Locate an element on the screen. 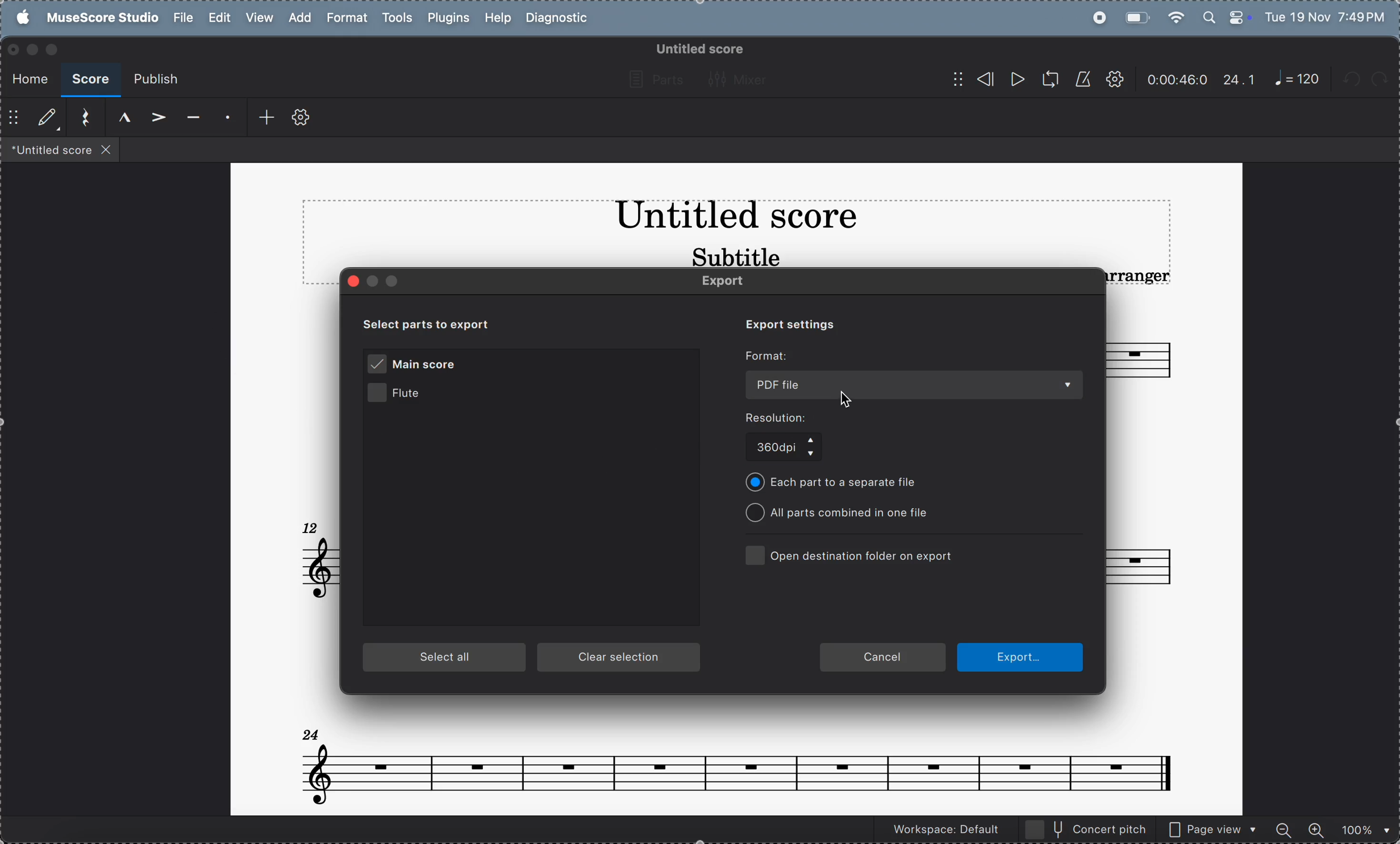 This screenshot has width=1400, height=844. Each part to a seperate file is located at coordinates (841, 483).